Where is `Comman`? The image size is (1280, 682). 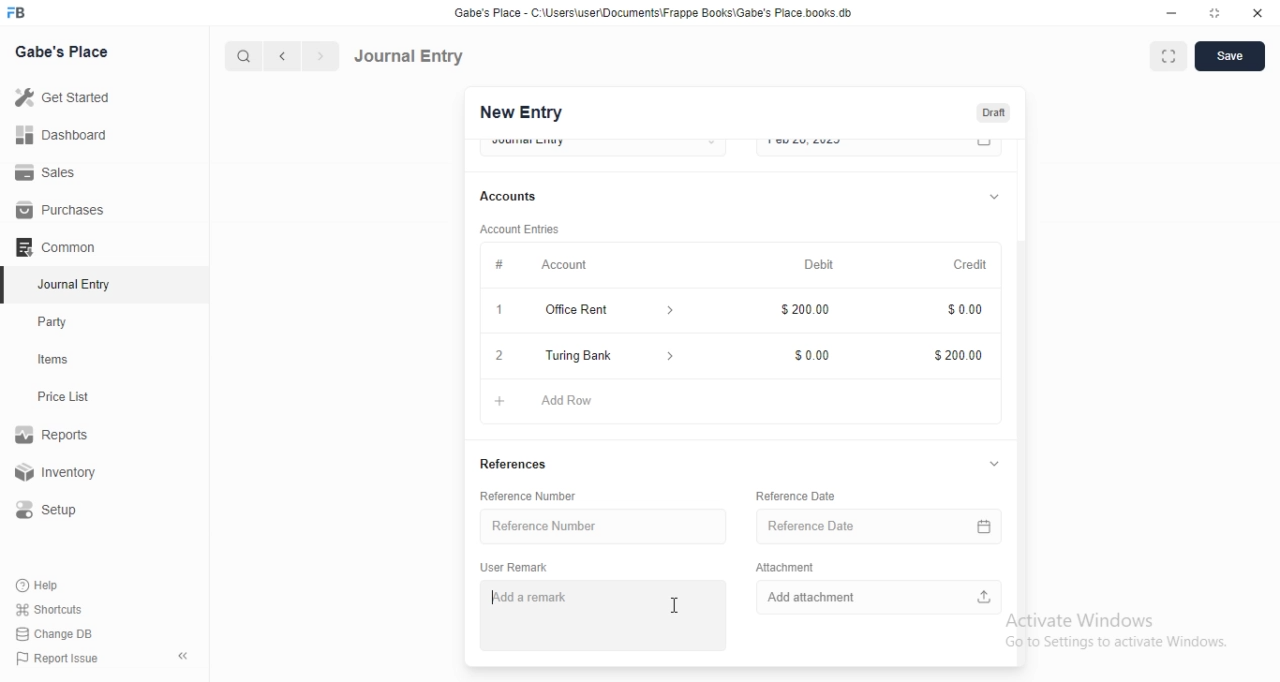 Comman is located at coordinates (49, 247).